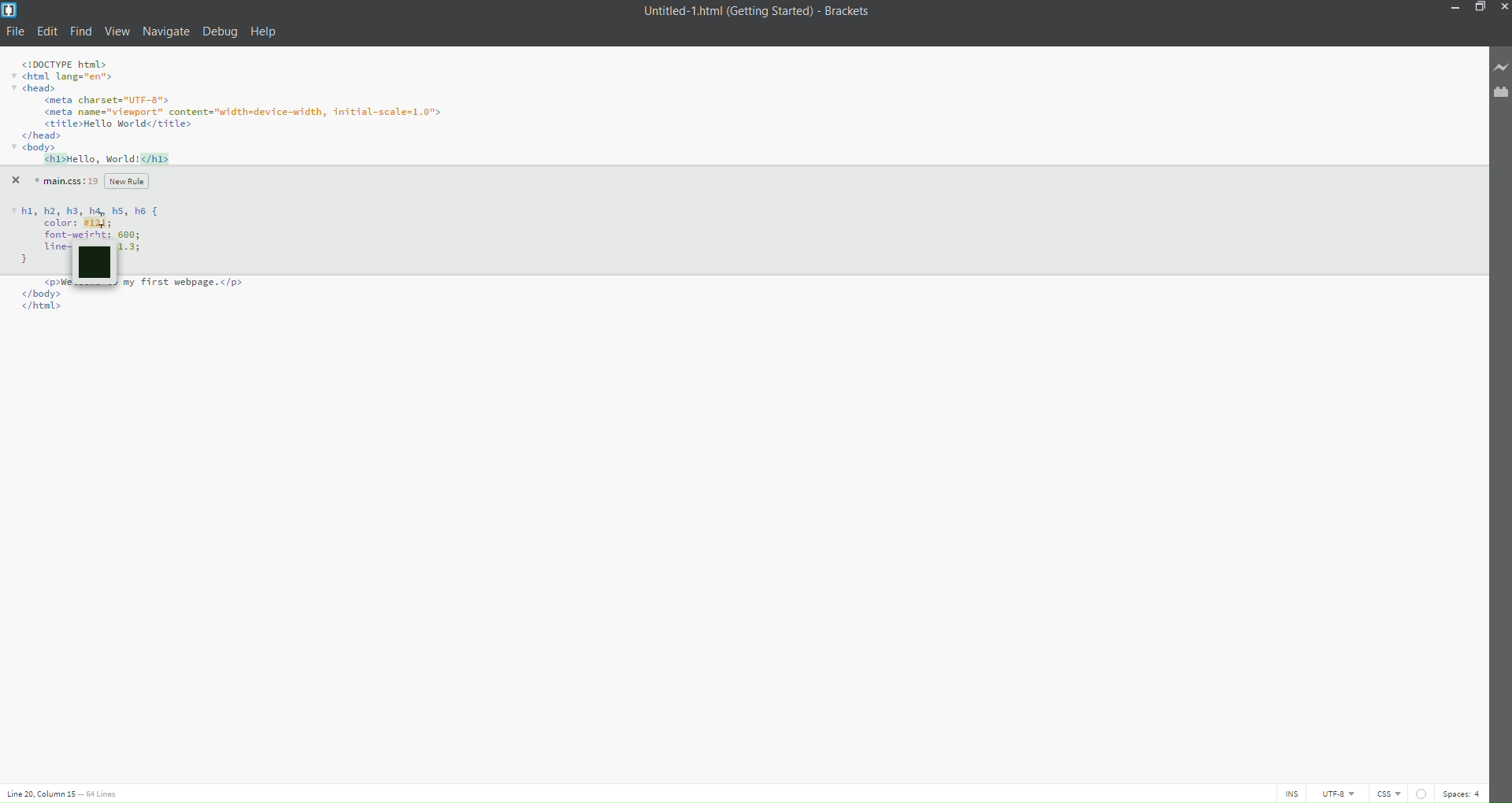 This screenshot has height=803, width=1512. I want to click on main.css, so click(64, 180).